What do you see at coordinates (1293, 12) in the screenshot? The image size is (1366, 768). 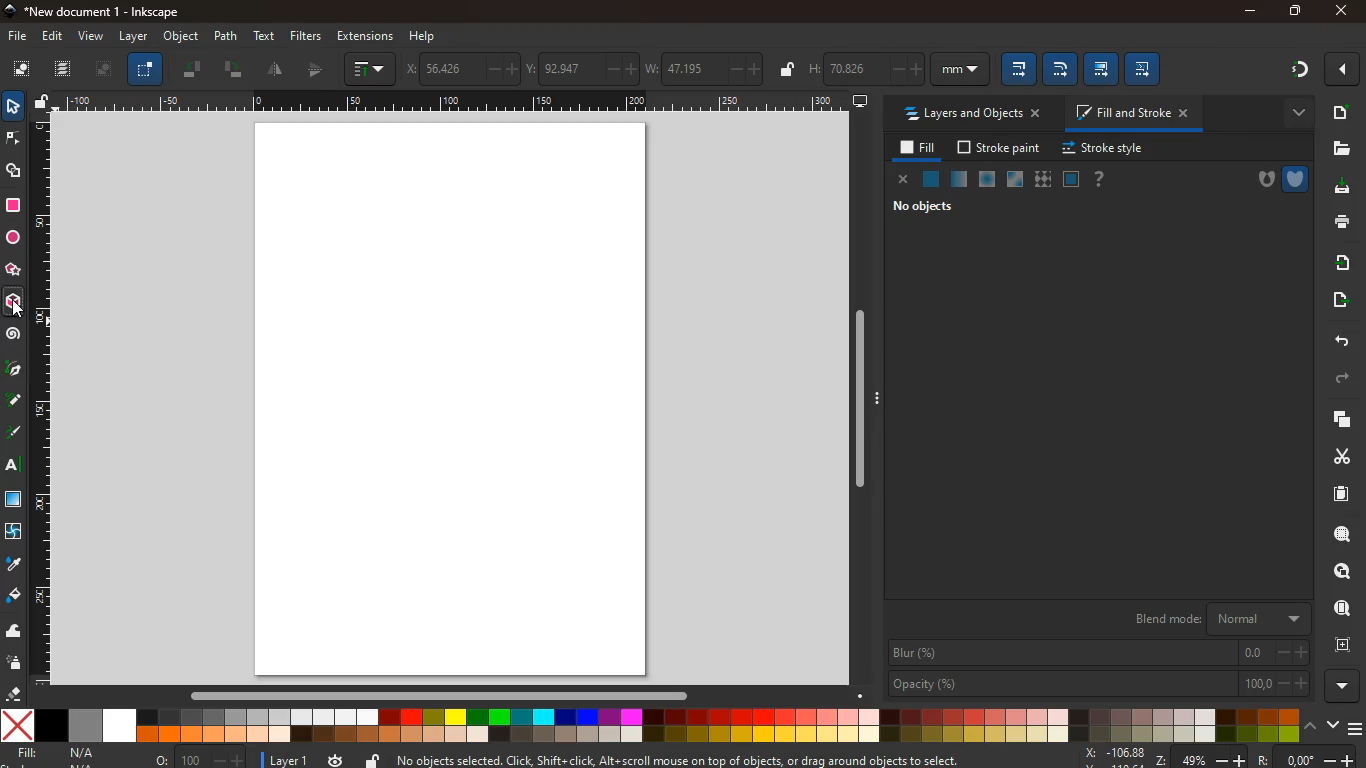 I see `Restore` at bounding box center [1293, 12].